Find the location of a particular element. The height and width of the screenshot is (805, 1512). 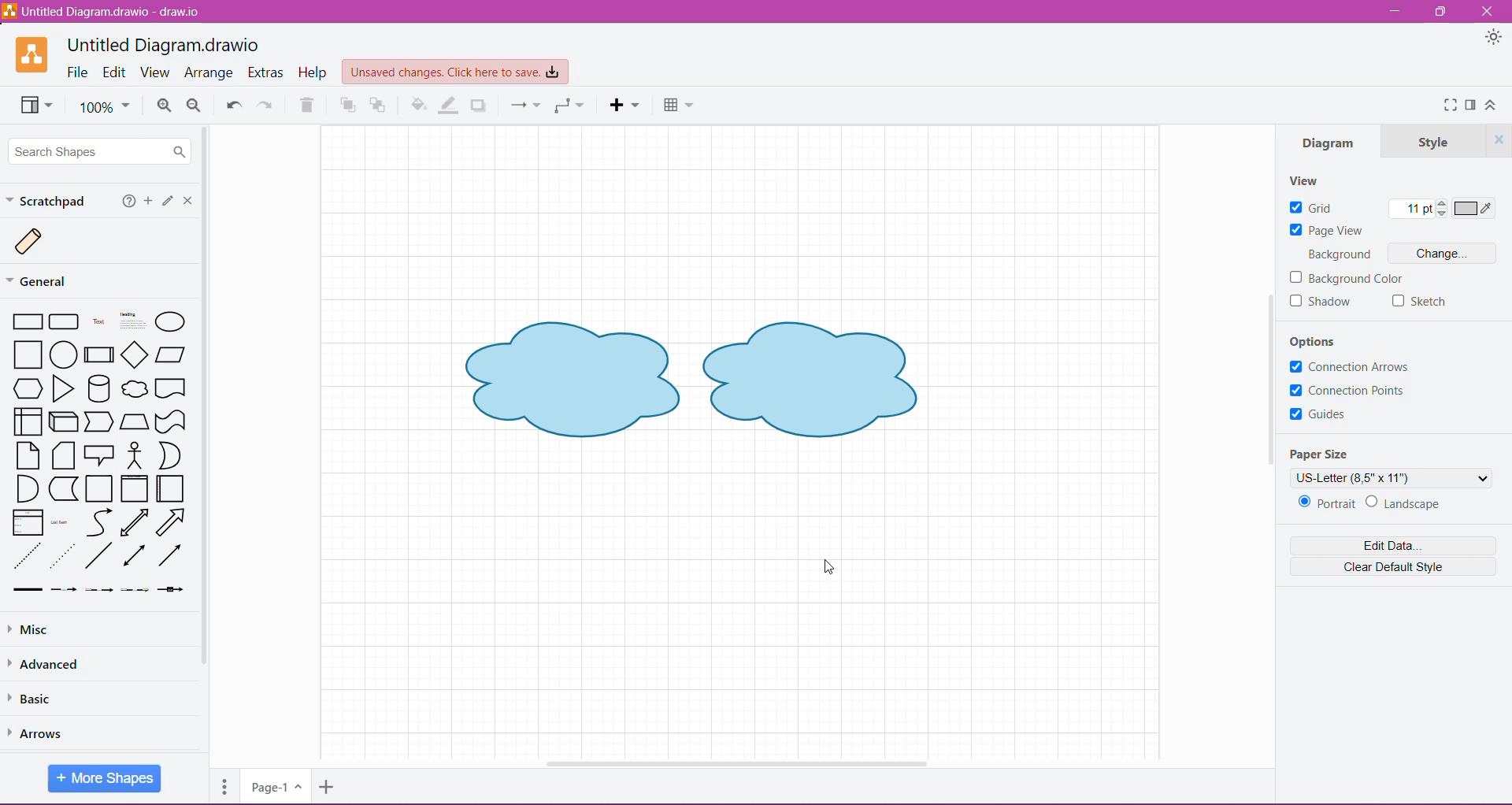

Horizontal Scroll Bar is located at coordinates (735, 763).